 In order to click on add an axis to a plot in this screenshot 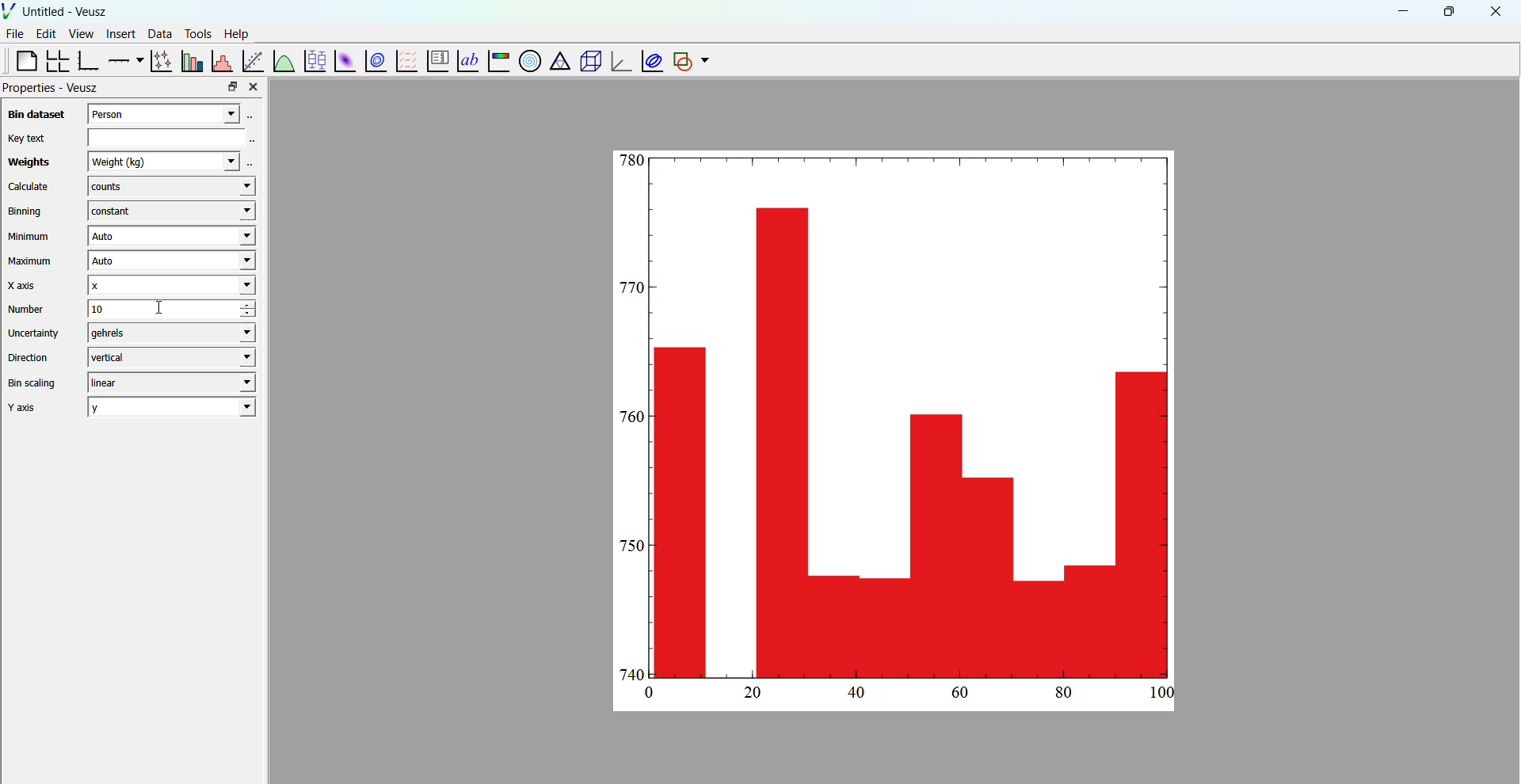, I will do `click(124, 59)`.